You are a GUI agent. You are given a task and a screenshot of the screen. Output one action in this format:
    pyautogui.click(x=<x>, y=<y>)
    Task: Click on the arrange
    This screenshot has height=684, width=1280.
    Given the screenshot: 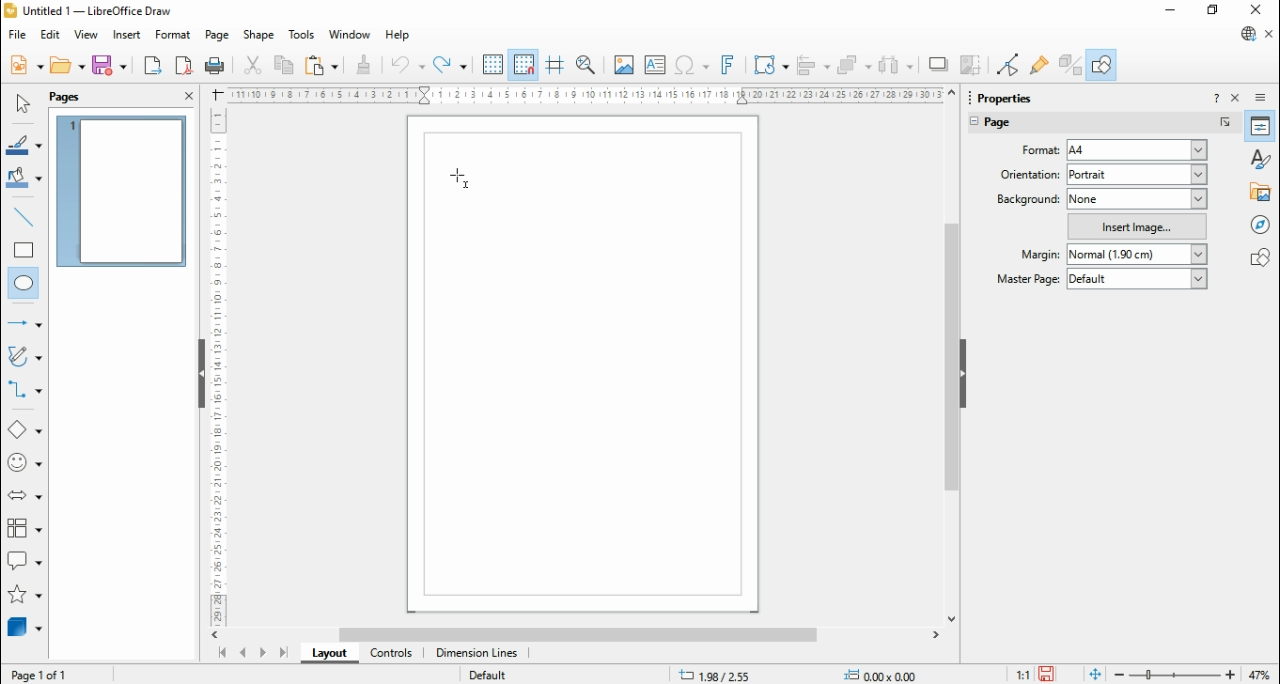 What is the action you would take?
    pyautogui.click(x=855, y=65)
    